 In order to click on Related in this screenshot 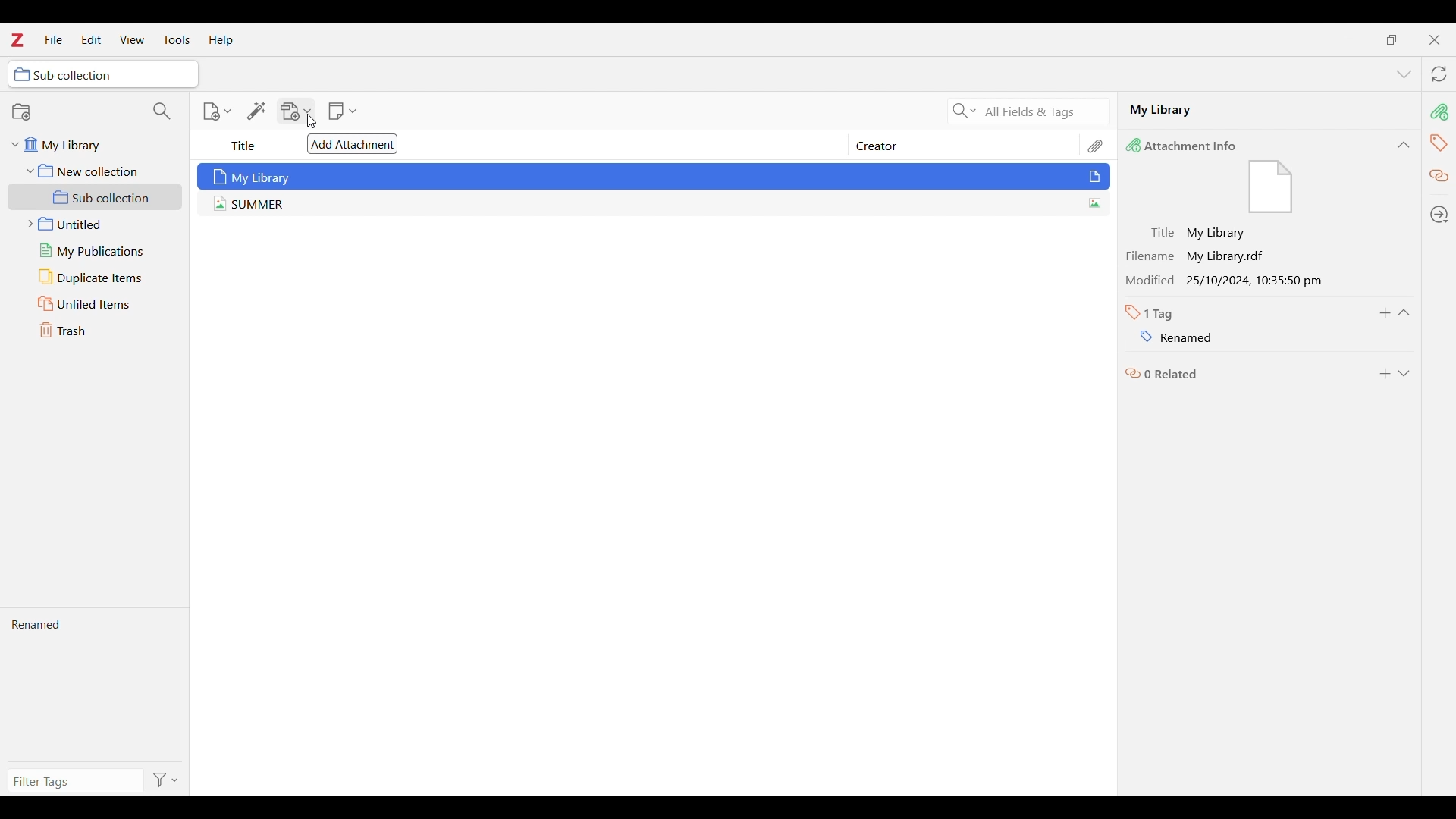, I will do `click(1161, 375)`.